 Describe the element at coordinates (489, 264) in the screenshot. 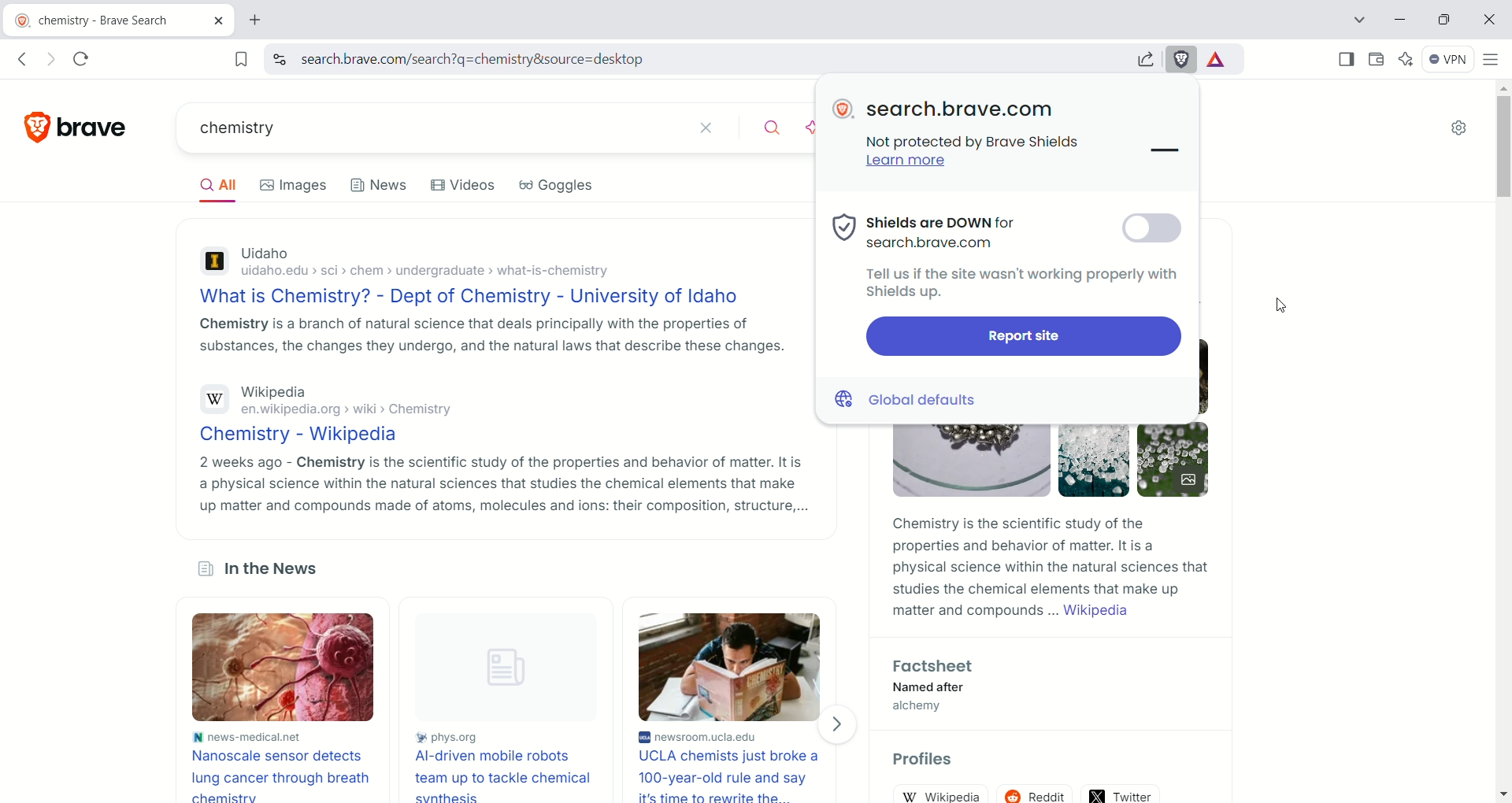

I see `Uidaho: uidaho.edu > sci > chem > undergraduate > what-is-chemistry` at that location.